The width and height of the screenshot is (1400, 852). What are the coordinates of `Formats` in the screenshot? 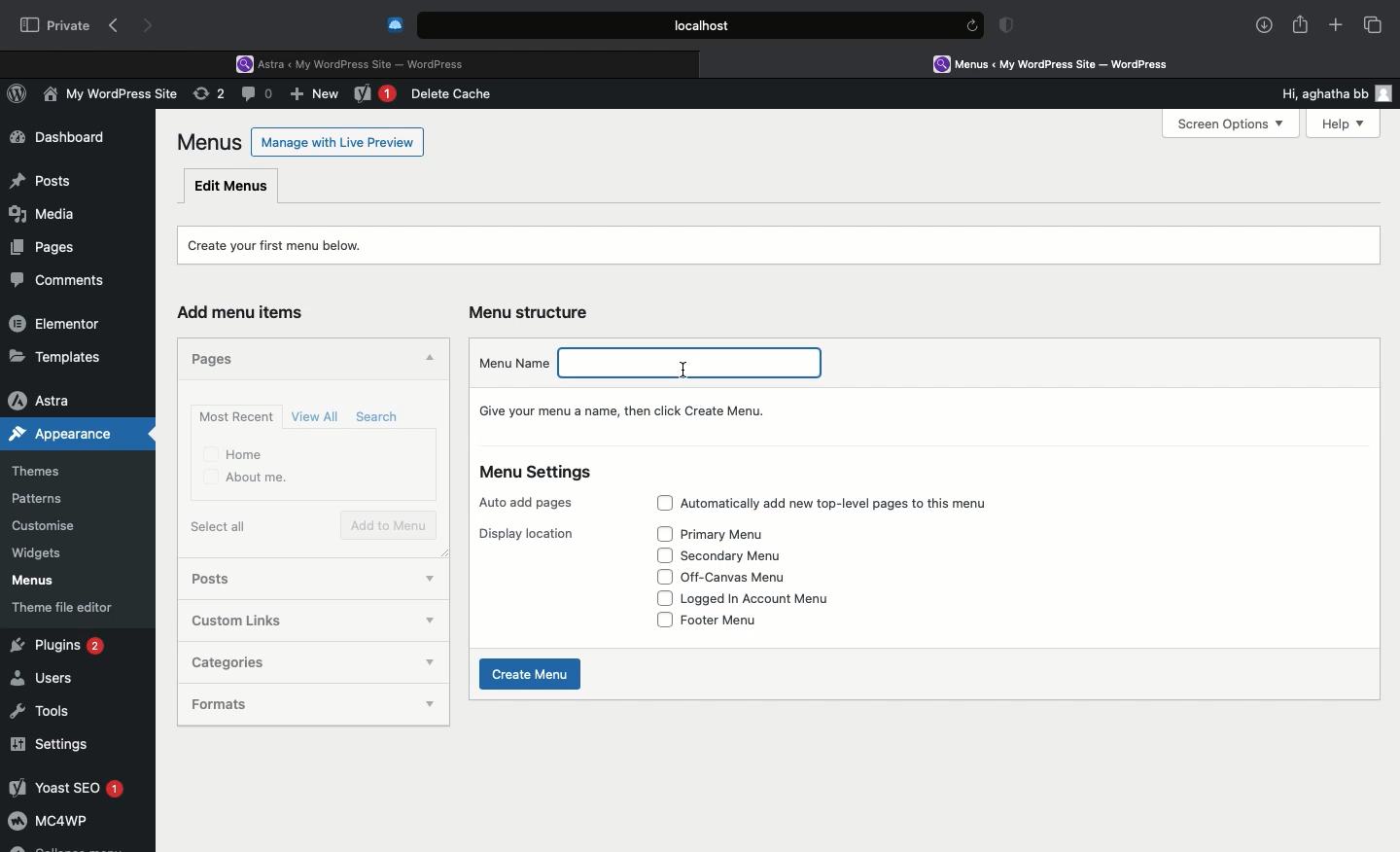 It's located at (277, 705).